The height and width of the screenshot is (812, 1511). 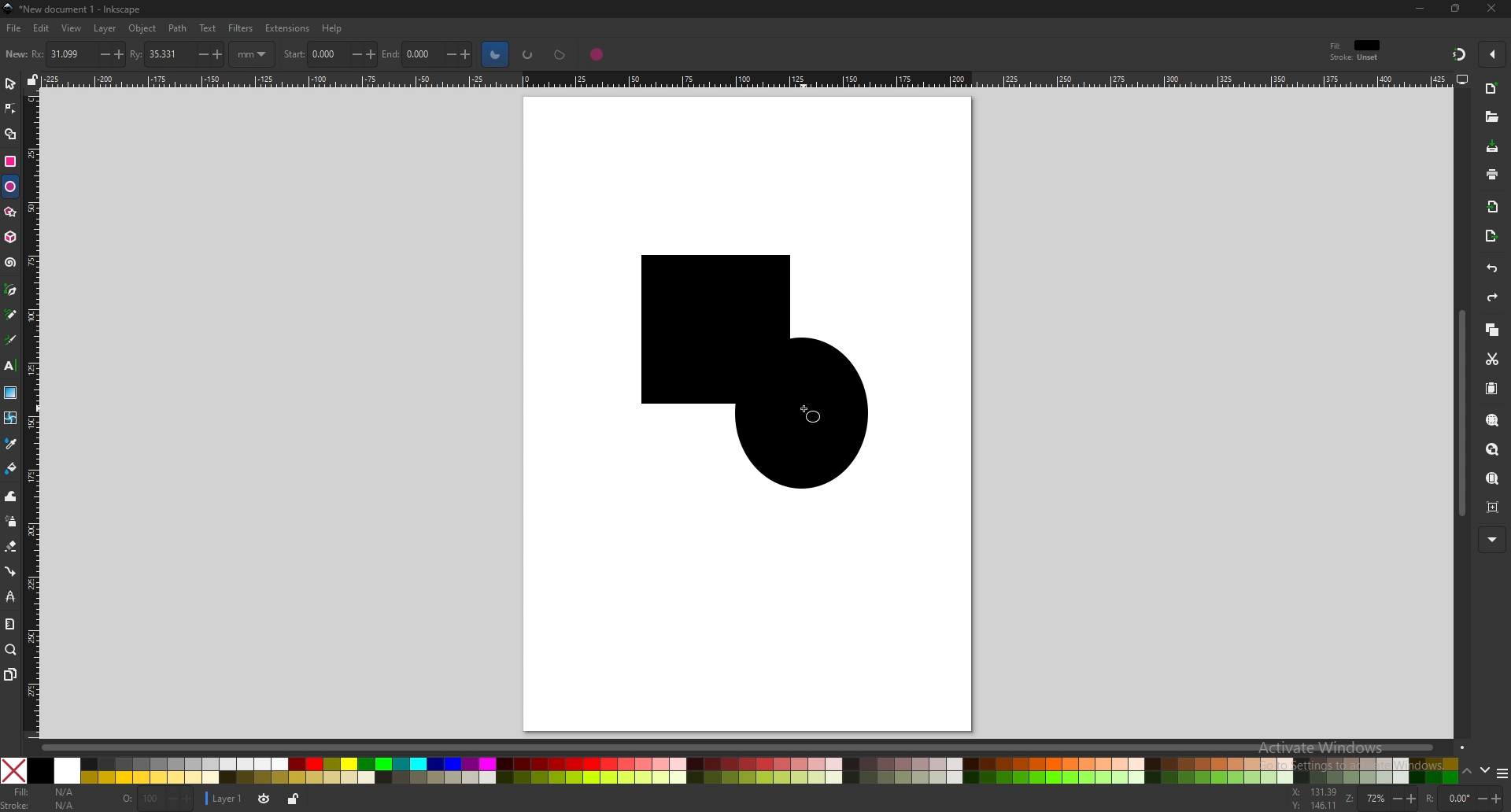 What do you see at coordinates (157, 799) in the screenshot?
I see `opacity` at bounding box center [157, 799].